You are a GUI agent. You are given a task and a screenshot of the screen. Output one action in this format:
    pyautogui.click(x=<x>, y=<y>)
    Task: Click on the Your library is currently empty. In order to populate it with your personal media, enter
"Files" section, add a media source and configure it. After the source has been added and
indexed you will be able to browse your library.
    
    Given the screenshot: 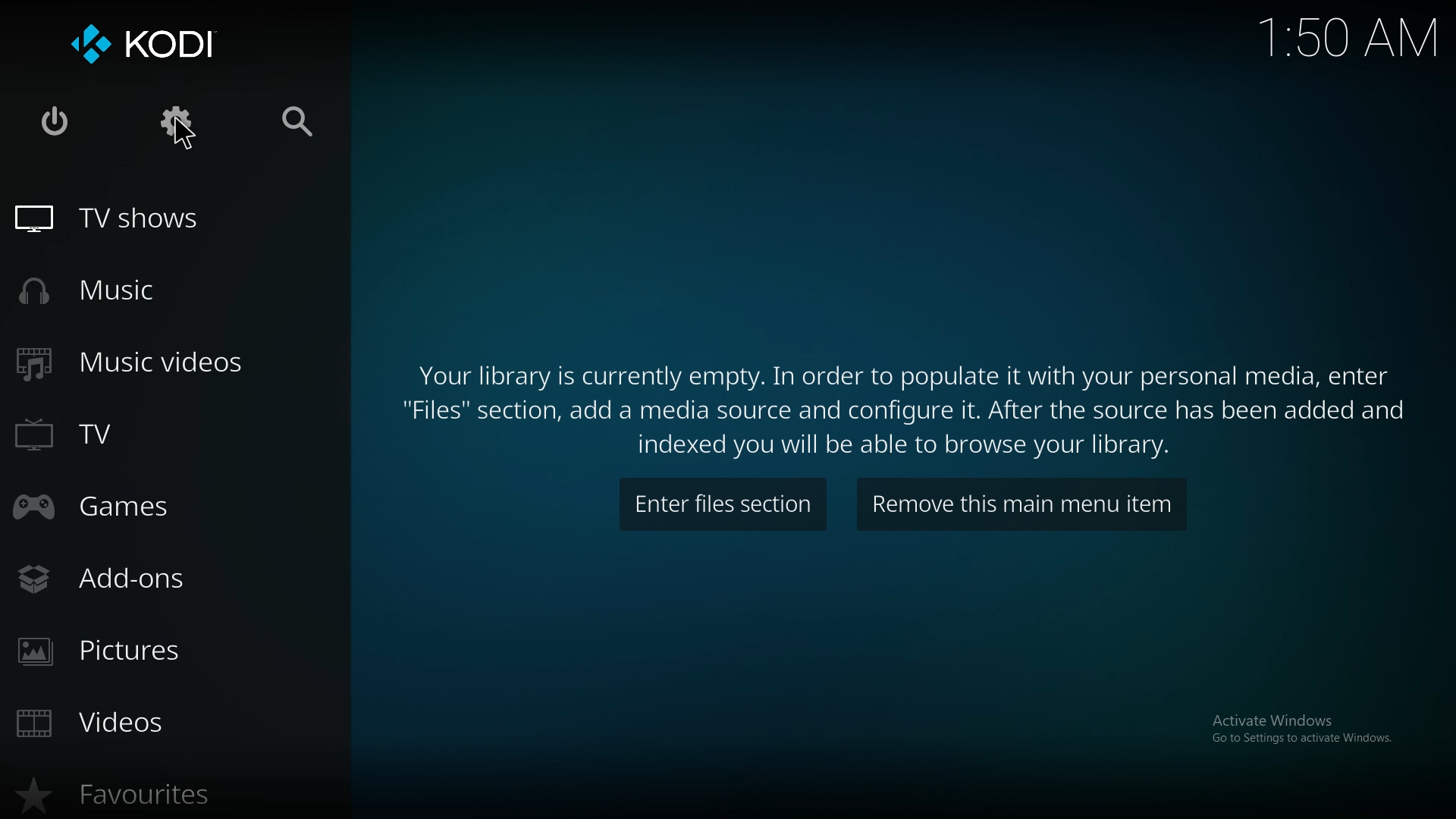 What is the action you would take?
    pyautogui.click(x=908, y=406)
    